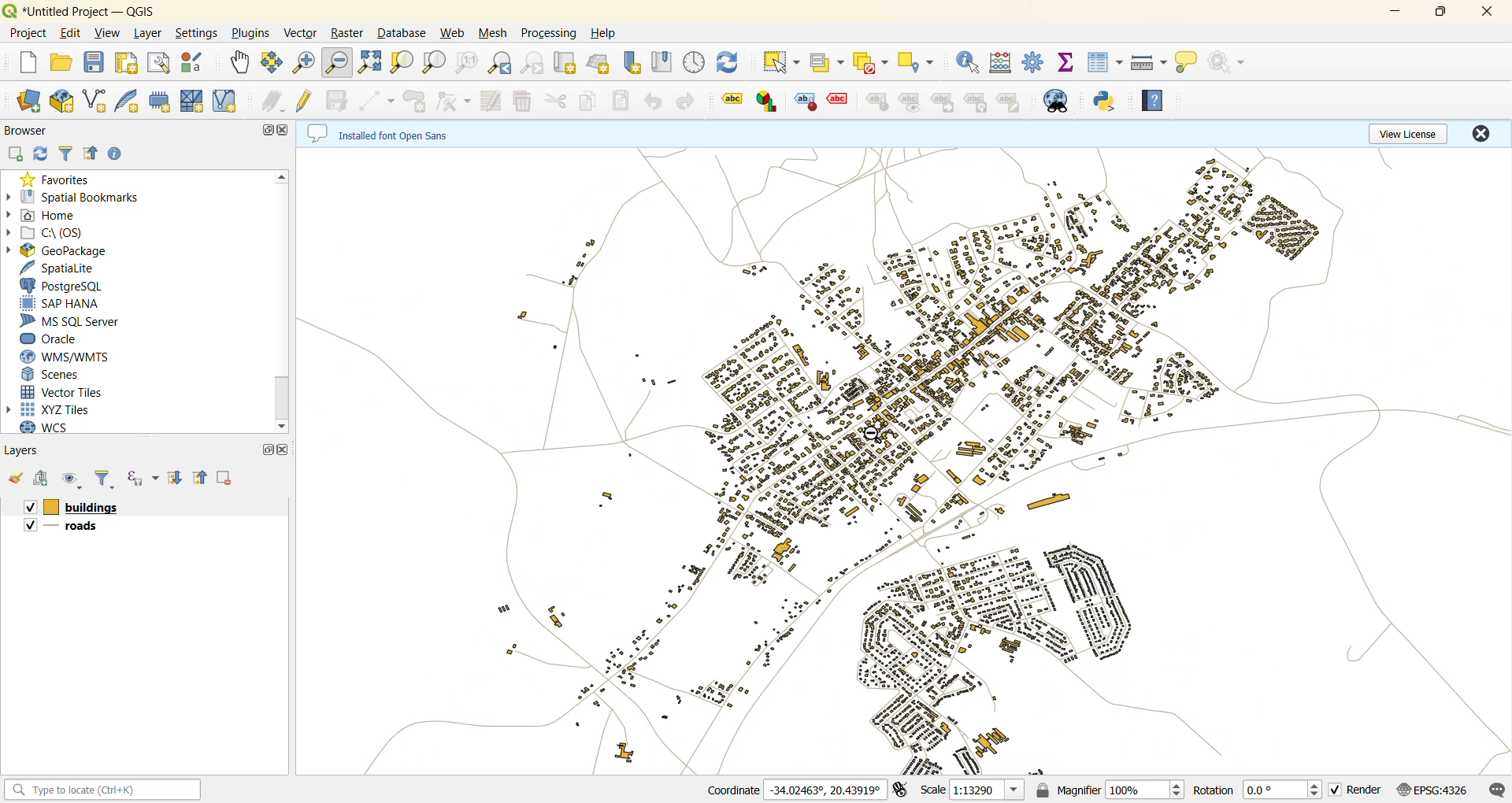  Describe the element at coordinates (55, 374) in the screenshot. I see `scenes` at that location.